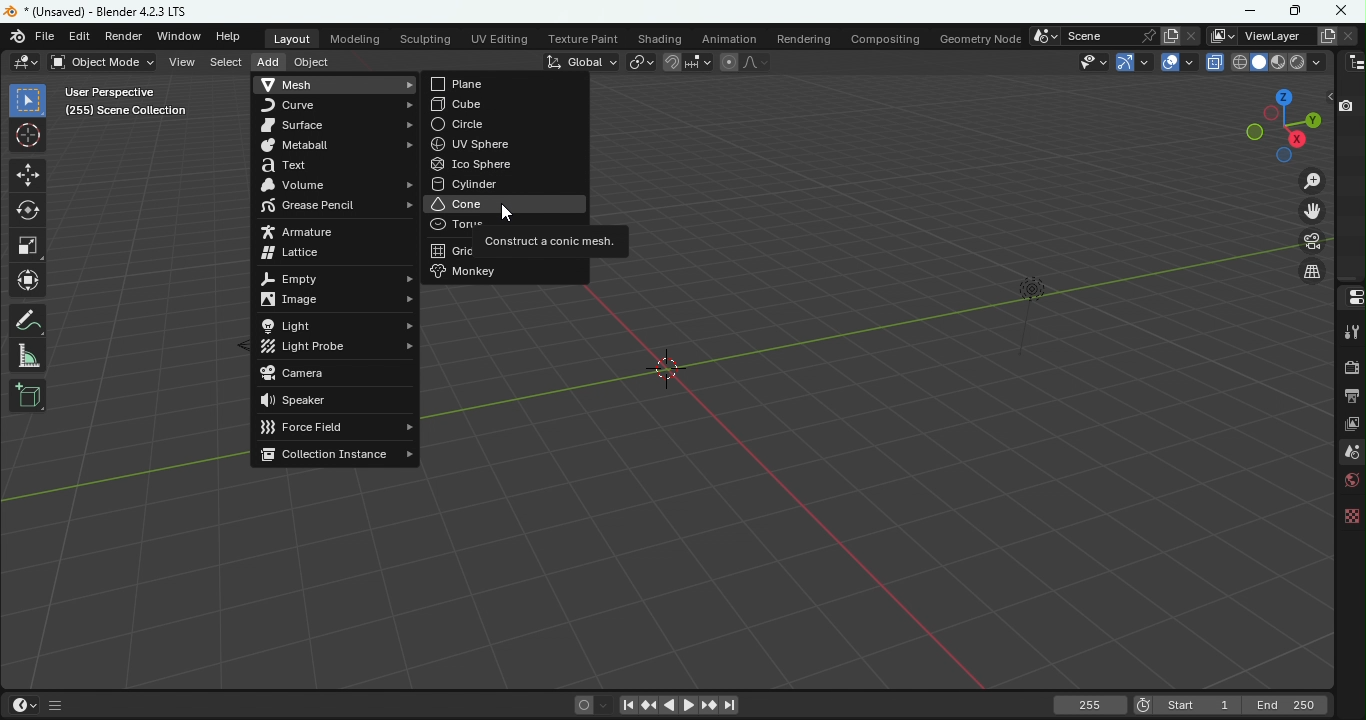  I want to click on Empty, so click(338, 278).